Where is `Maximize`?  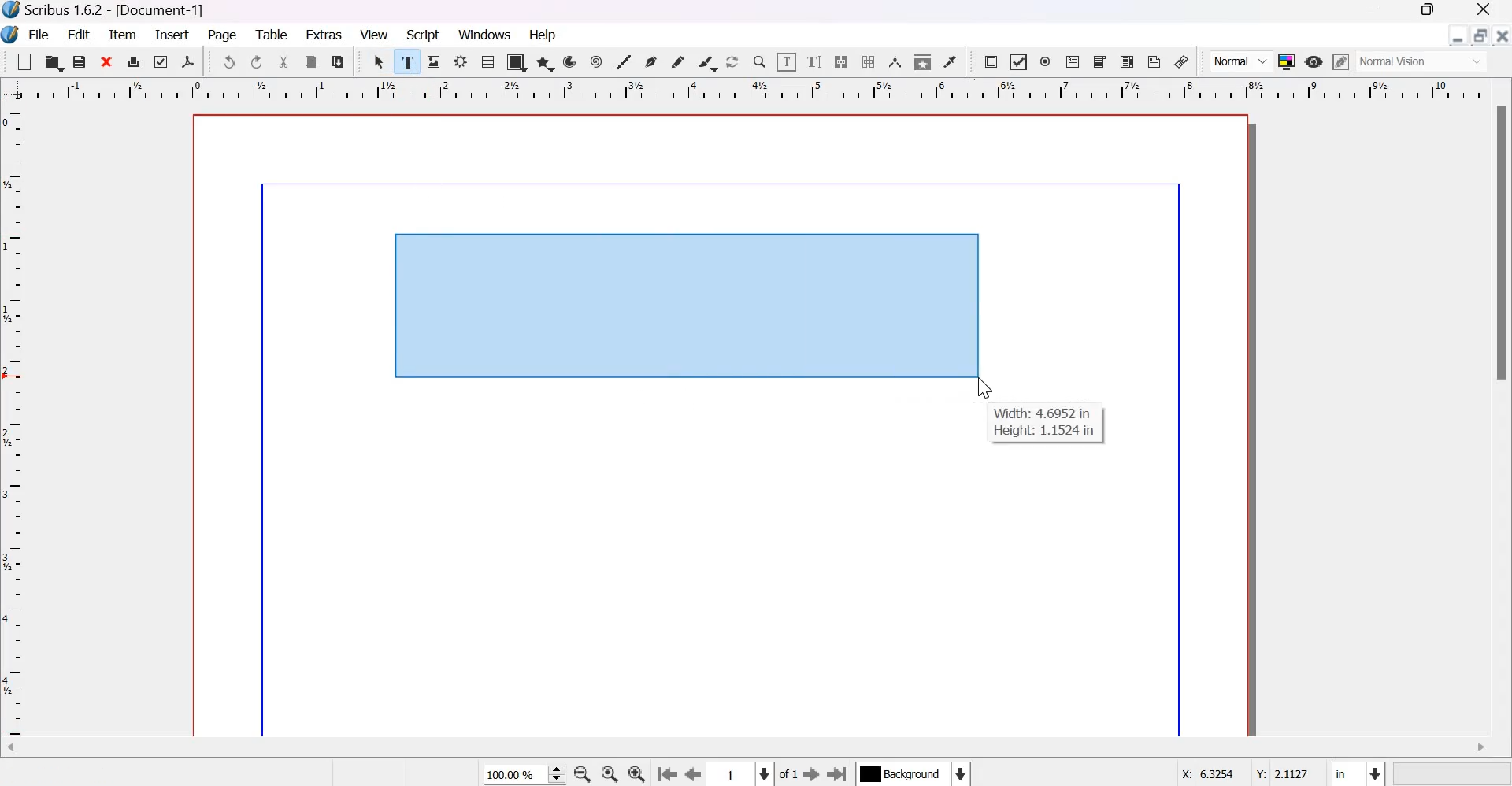 Maximize is located at coordinates (1422, 12).